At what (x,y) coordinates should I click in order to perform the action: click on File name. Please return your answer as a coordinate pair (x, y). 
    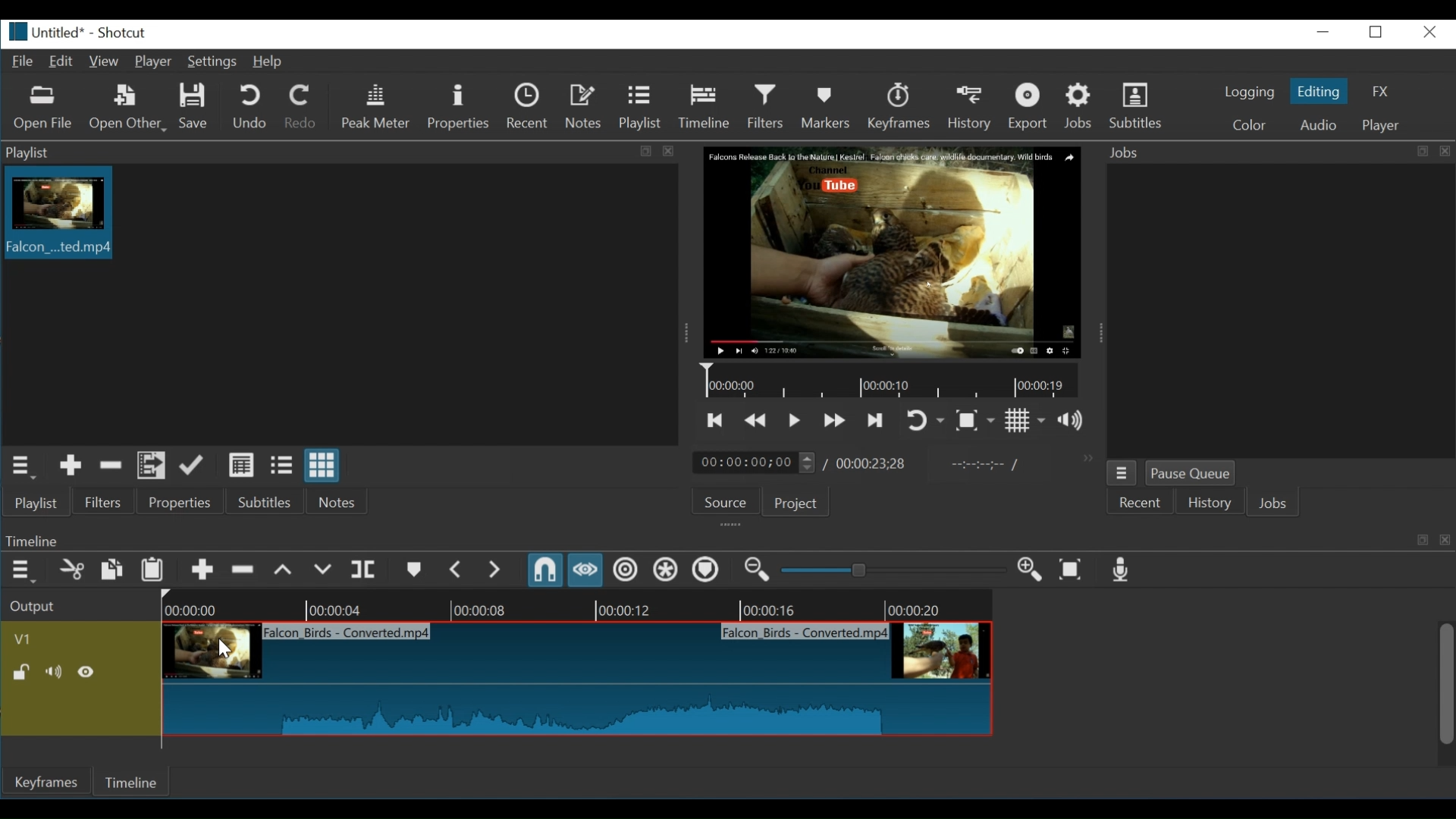
    Looking at the image, I should click on (42, 32).